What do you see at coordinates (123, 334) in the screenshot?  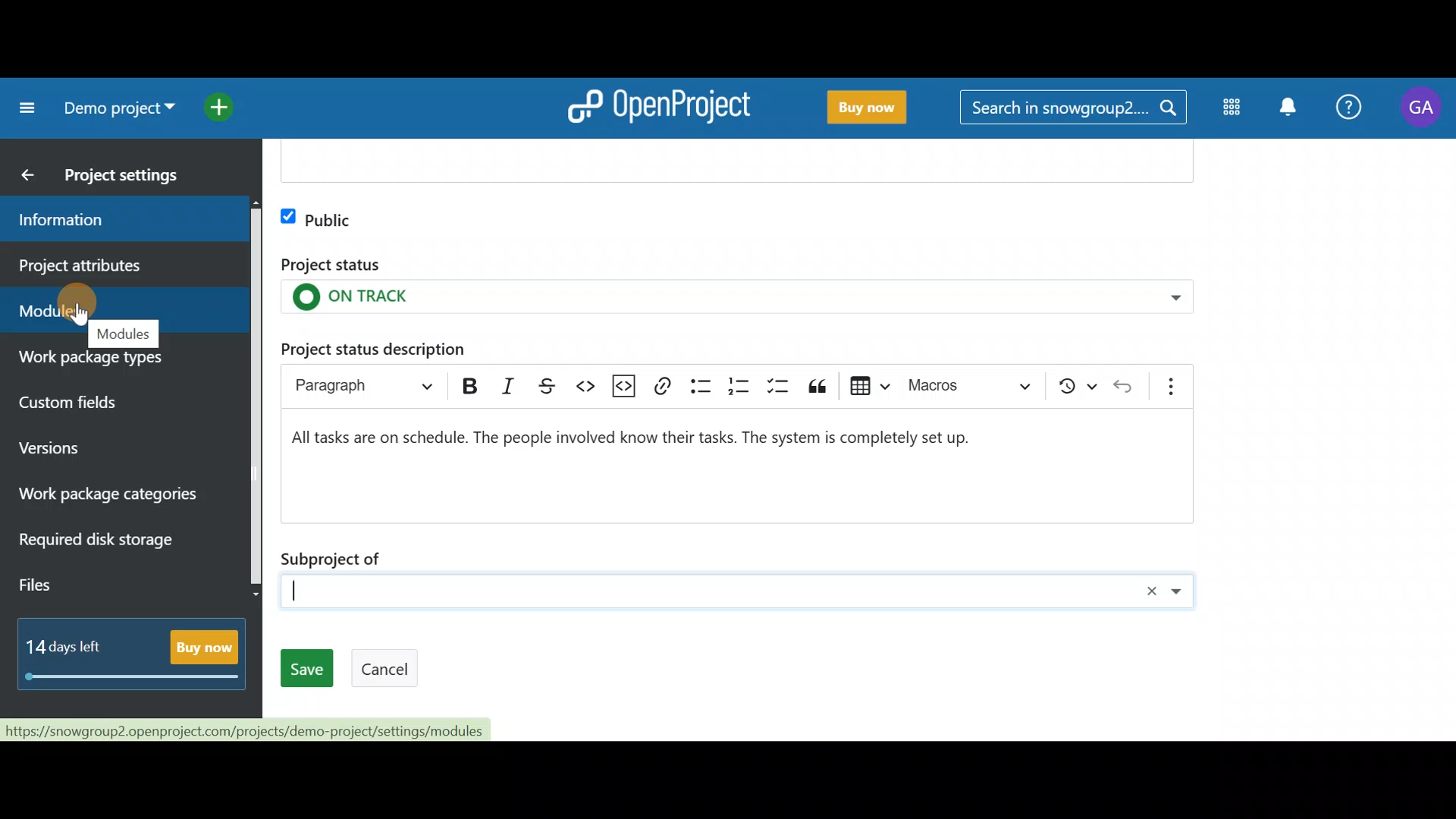 I see `modules` at bounding box center [123, 334].